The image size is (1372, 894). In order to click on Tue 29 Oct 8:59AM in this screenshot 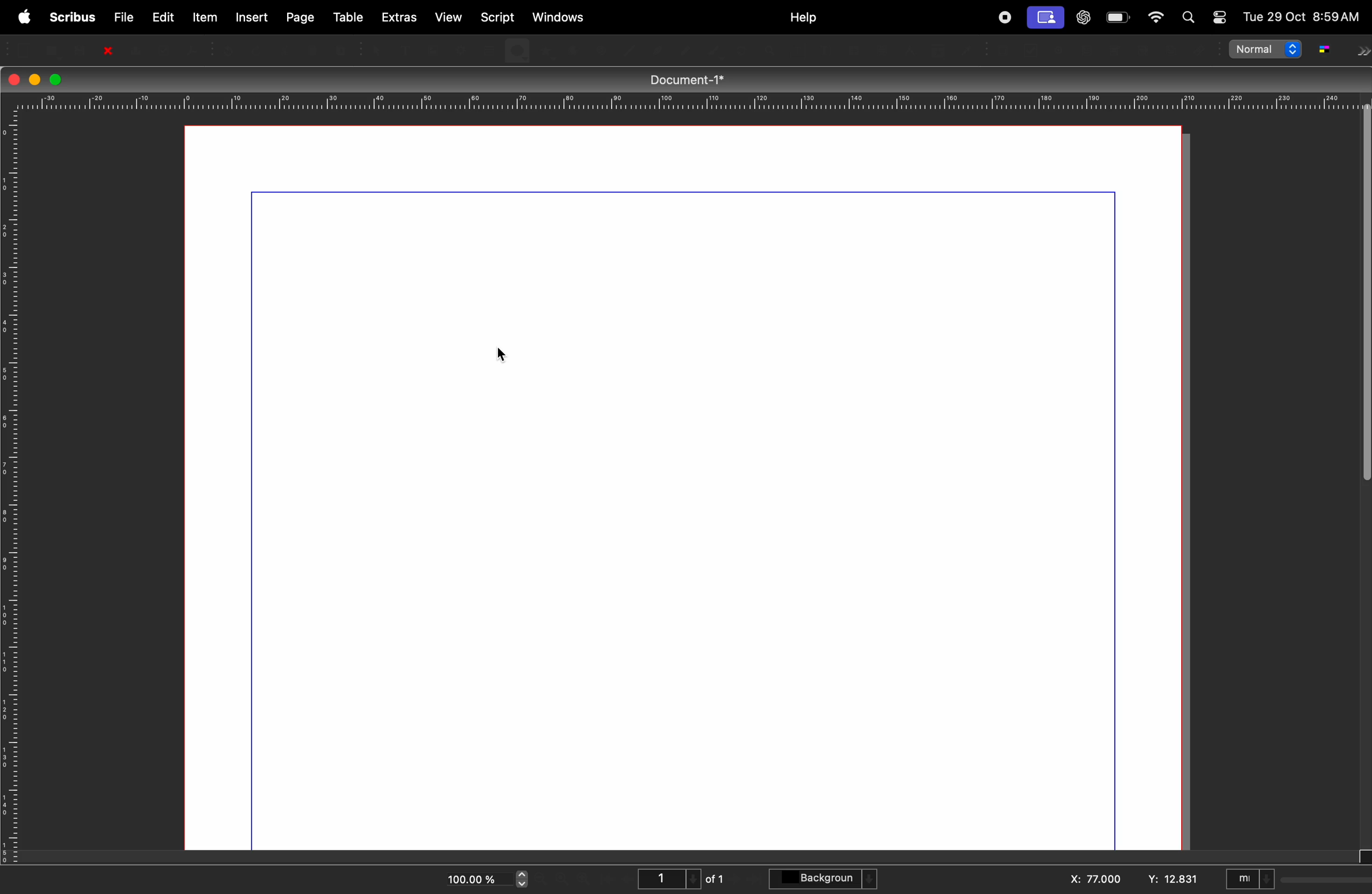, I will do `click(1301, 18)`.